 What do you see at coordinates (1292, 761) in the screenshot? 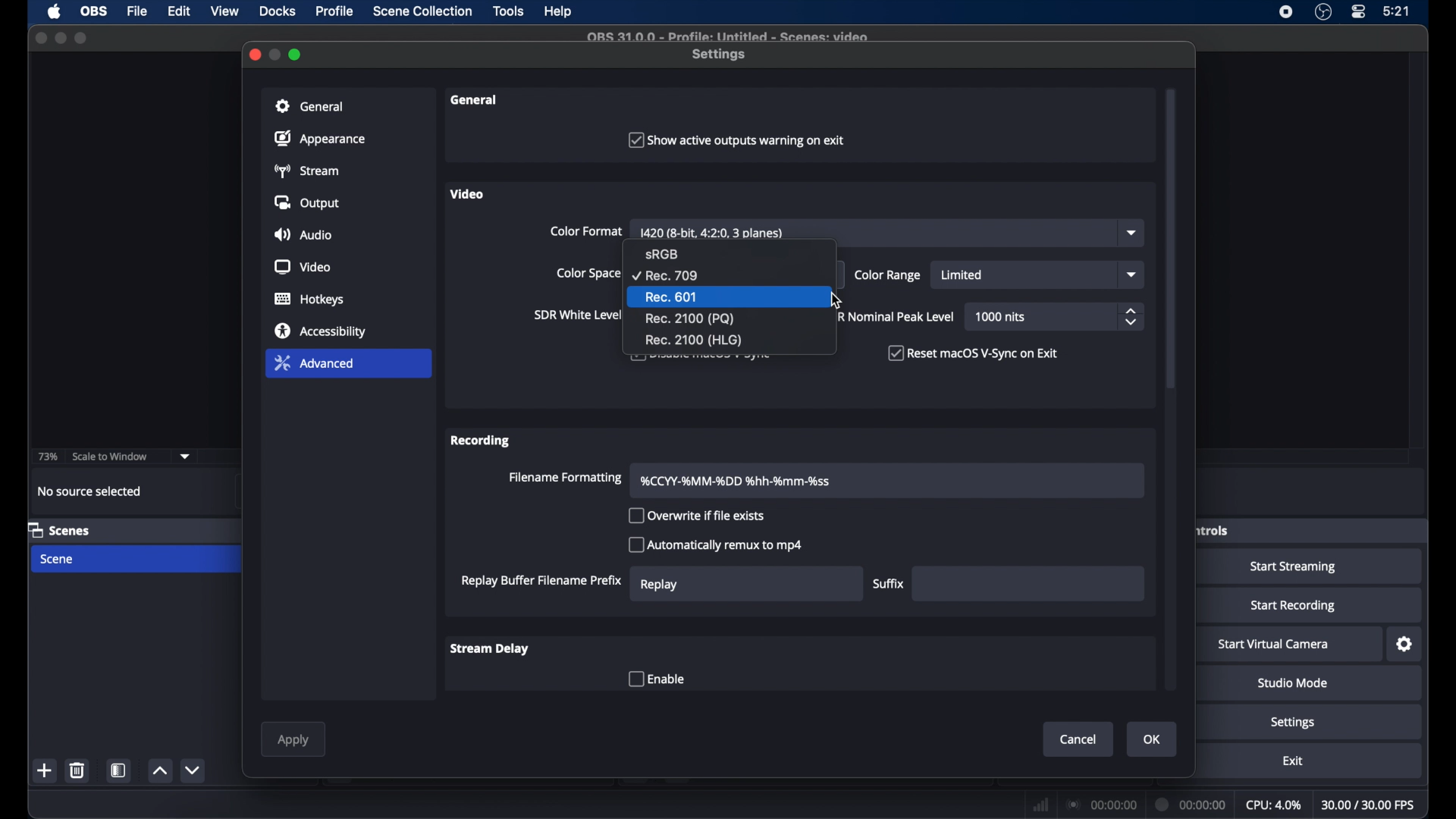
I see `exit` at bounding box center [1292, 761].